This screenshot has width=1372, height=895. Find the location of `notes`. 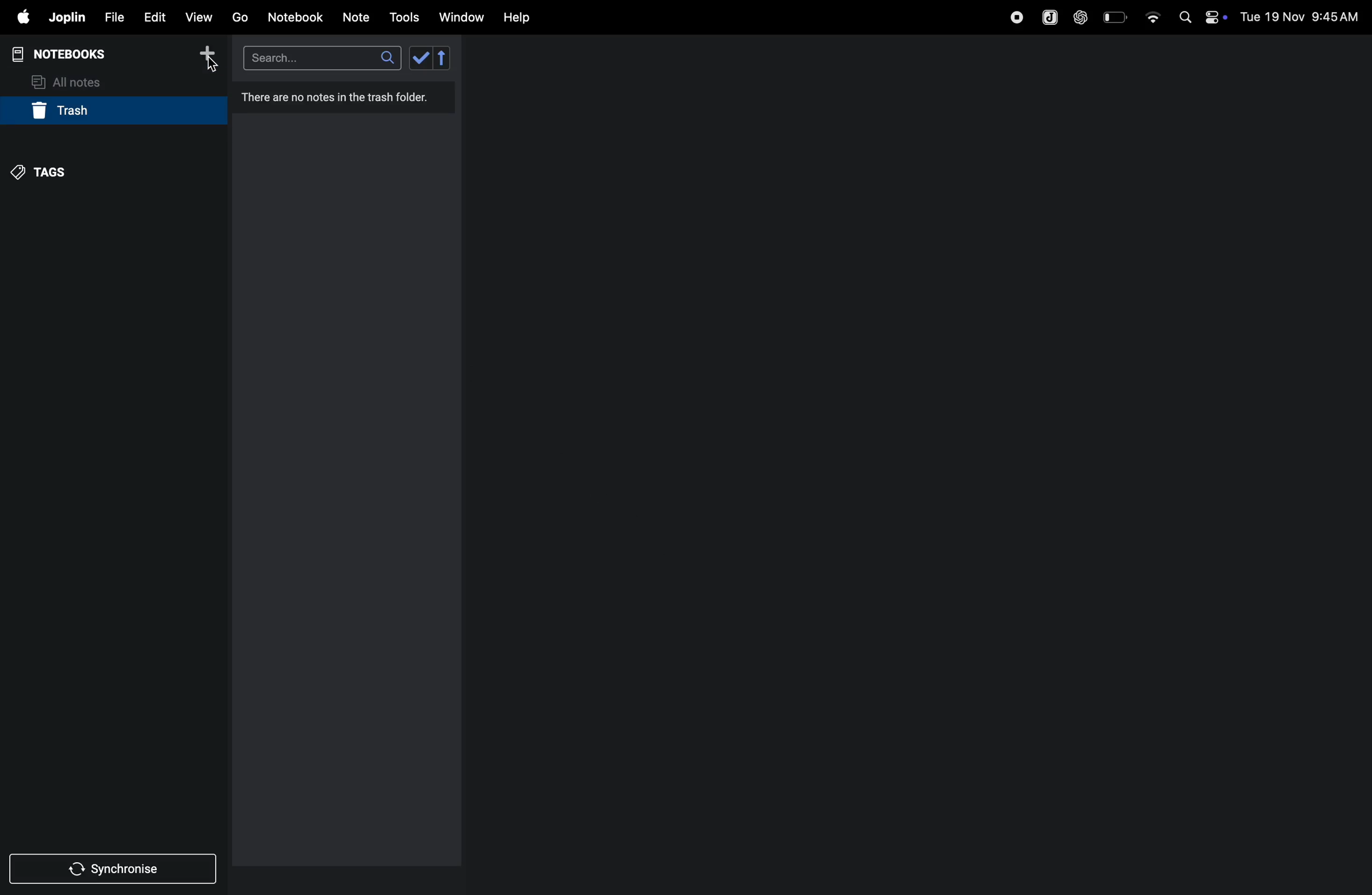

notes is located at coordinates (357, 18).